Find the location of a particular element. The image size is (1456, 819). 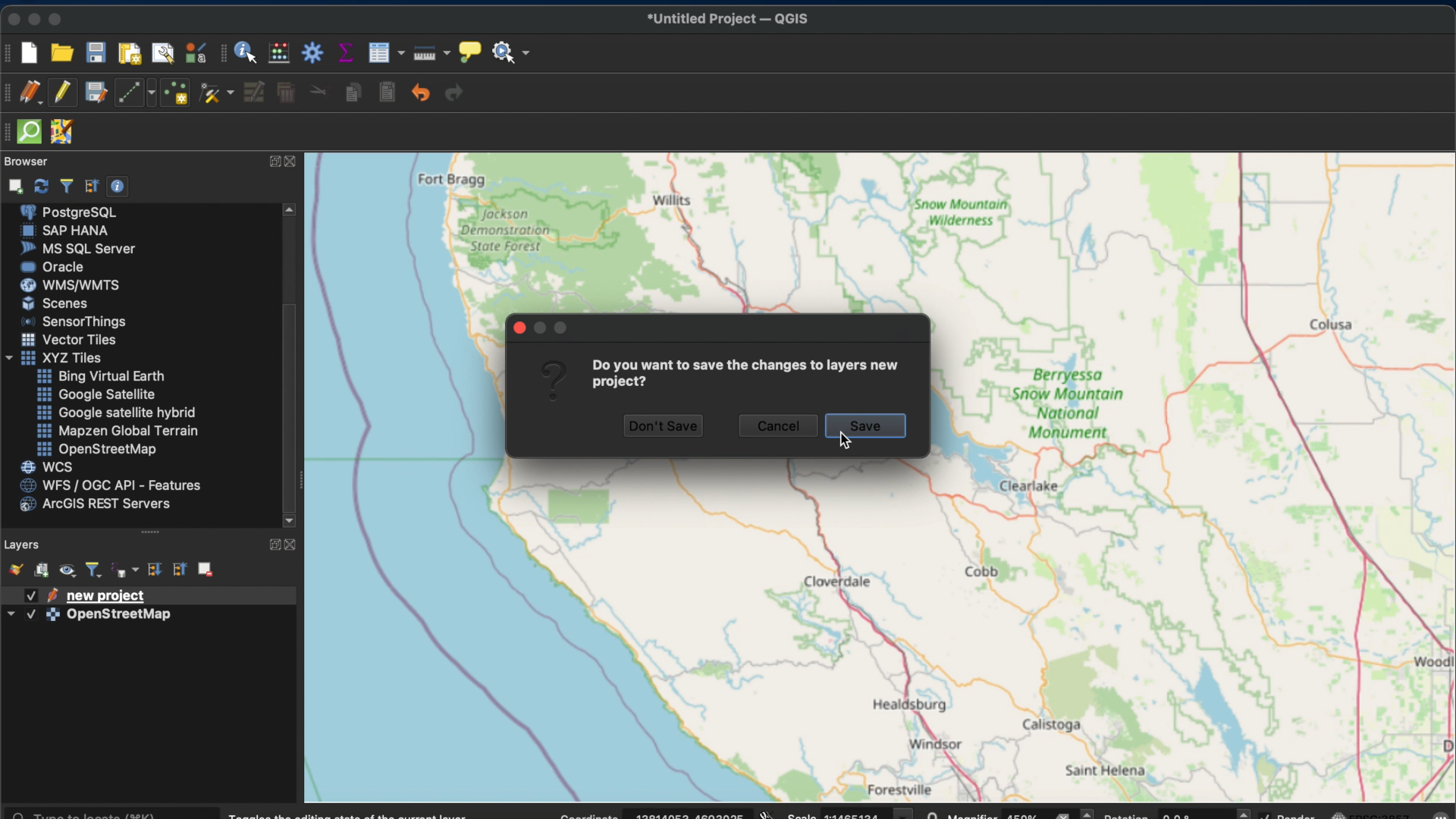

add group is located at coordinates (42, 569).